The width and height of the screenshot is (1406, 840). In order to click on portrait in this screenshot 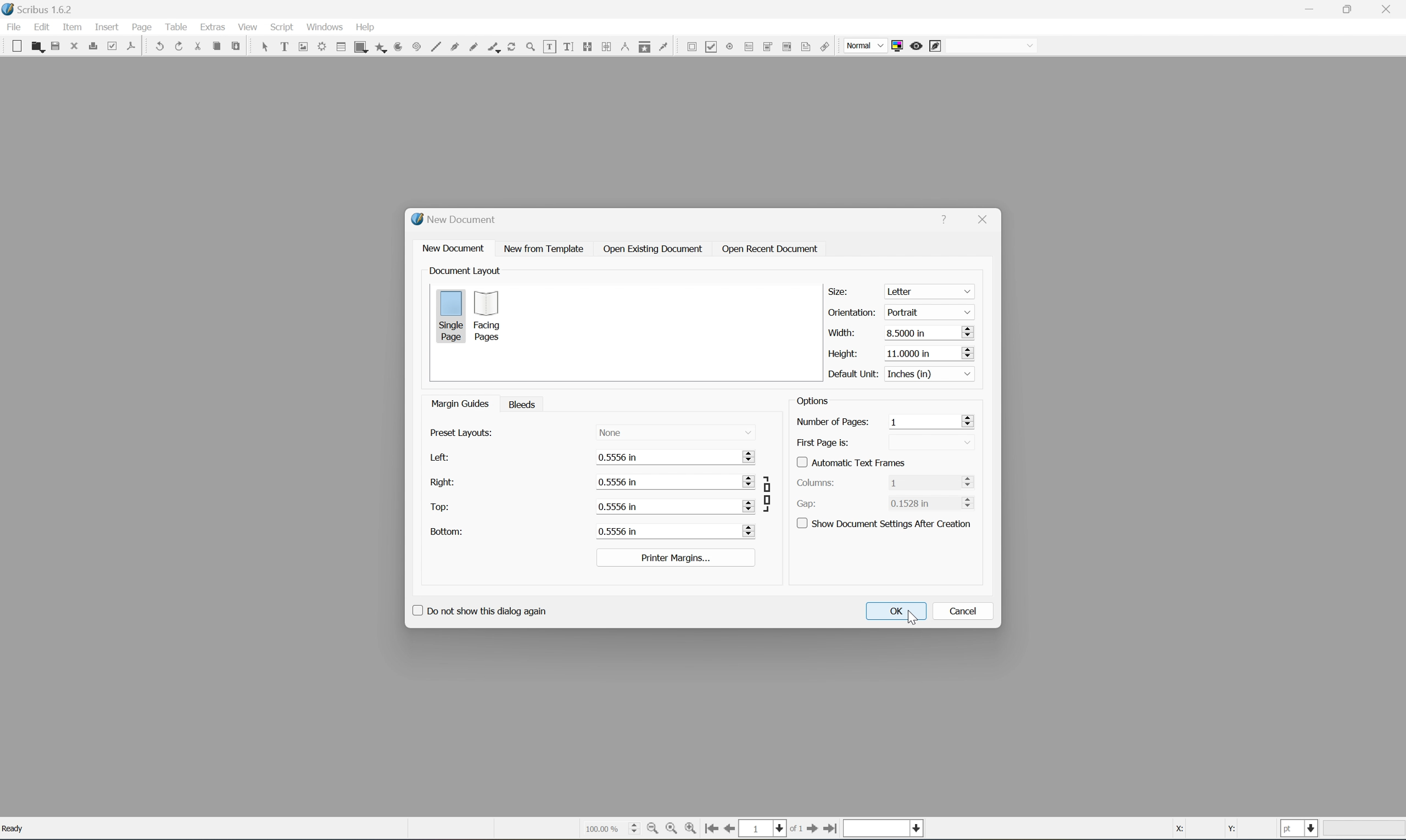, I will do `click(931, 312)`.